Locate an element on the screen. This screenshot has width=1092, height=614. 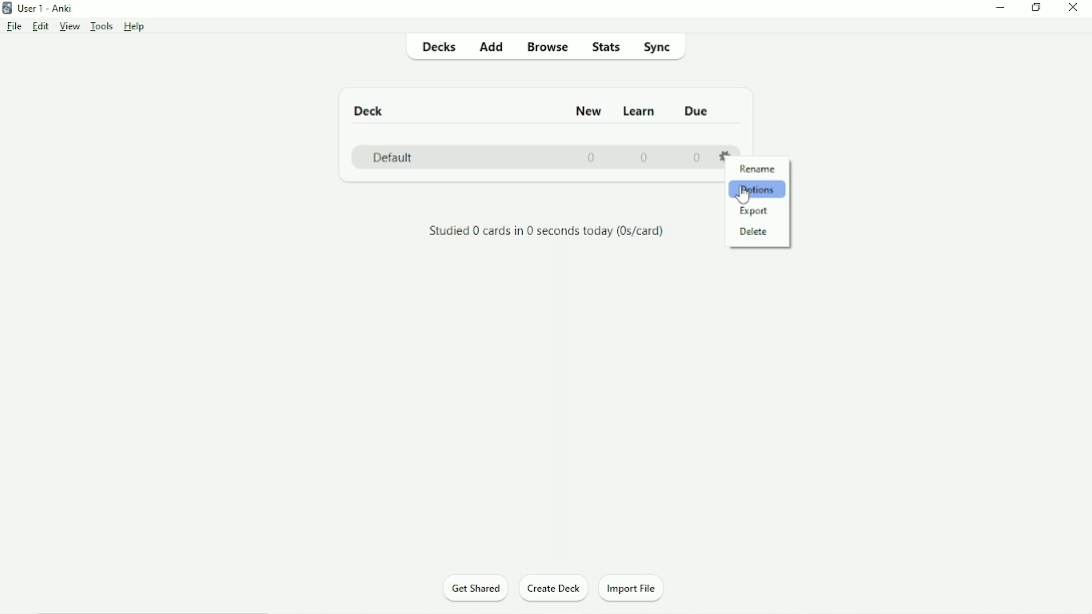
Decks is located at coordinates (437, 46).